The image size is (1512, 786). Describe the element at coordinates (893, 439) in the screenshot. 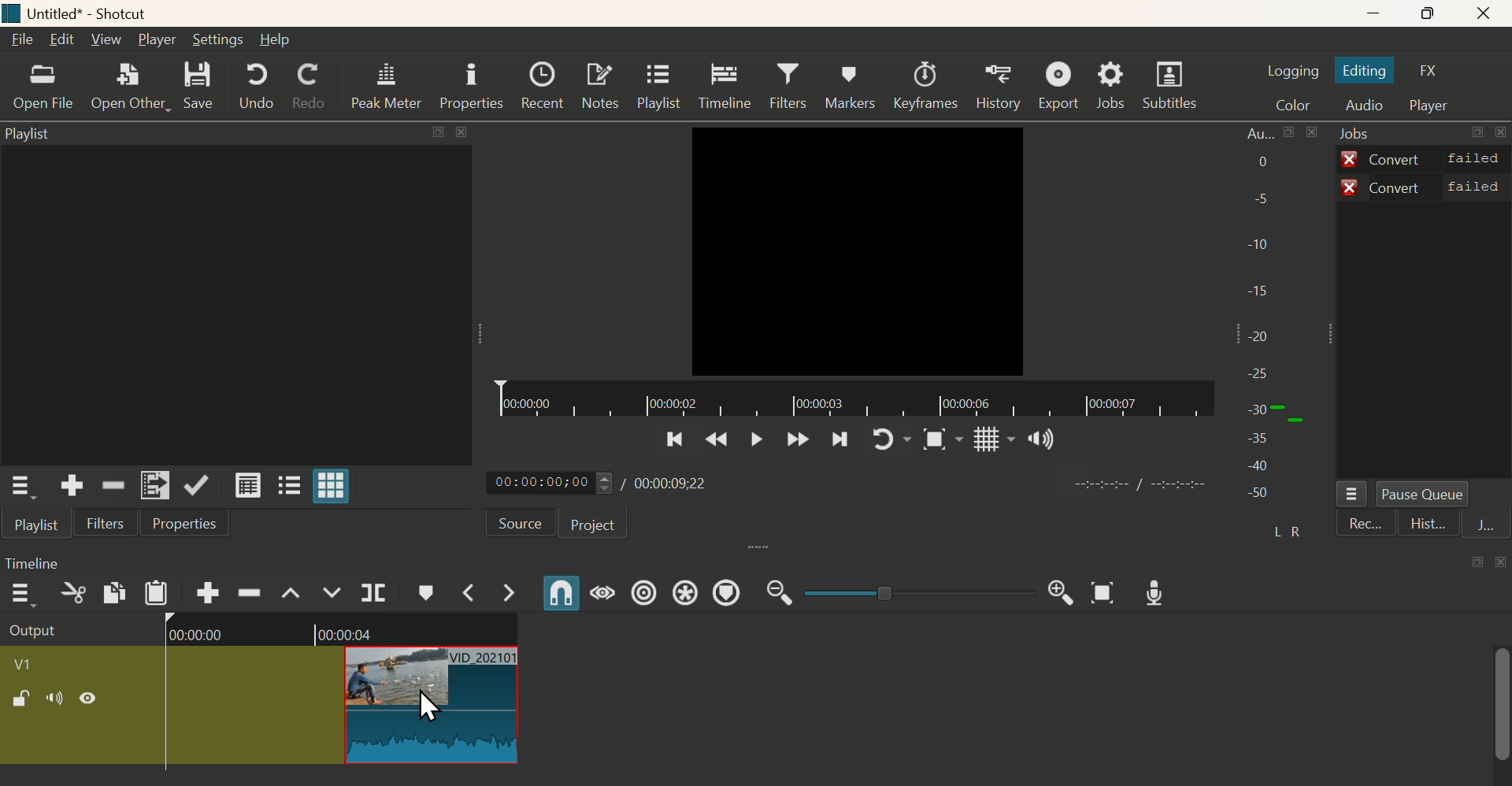

I see `Play again` at that location.